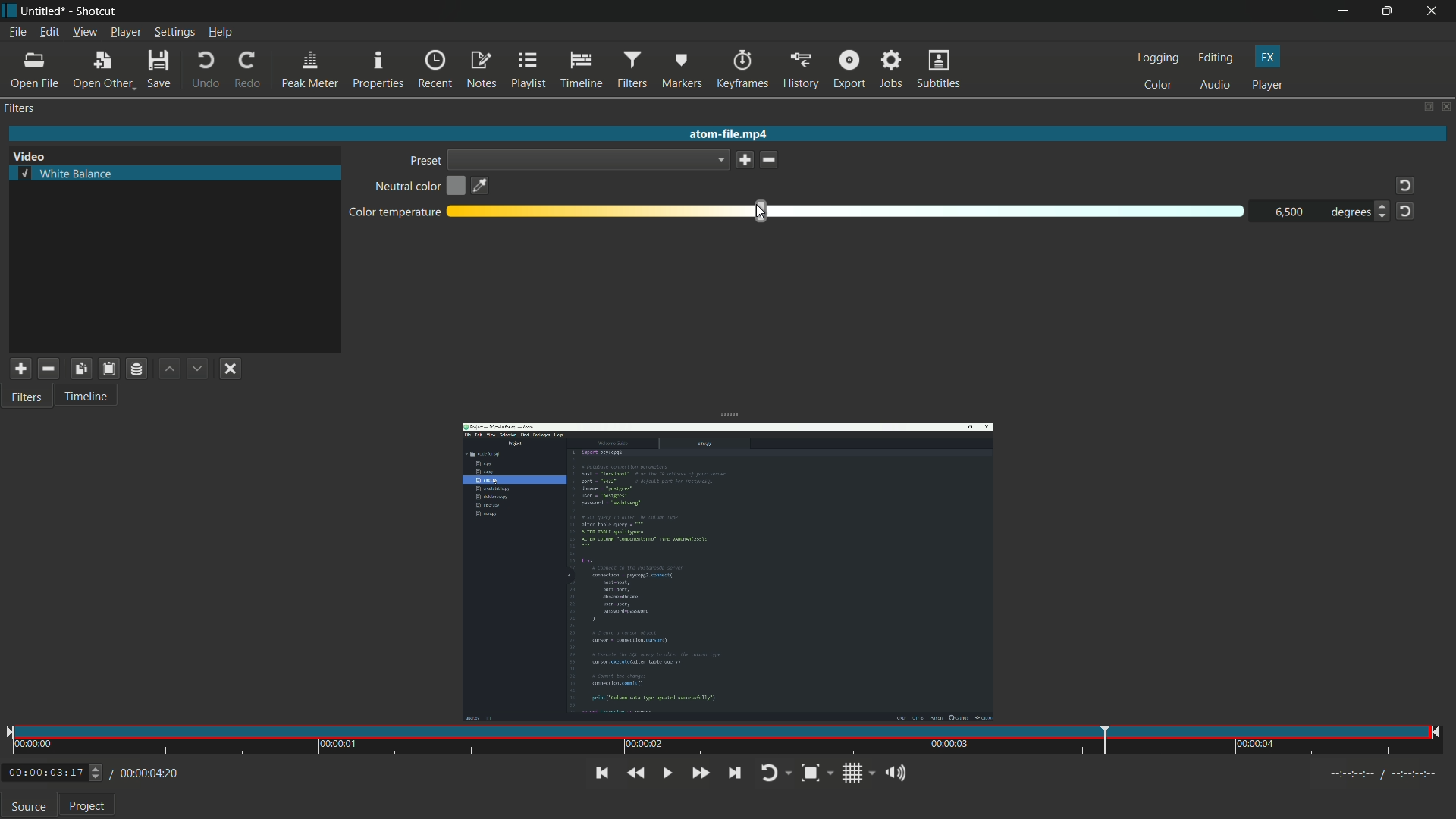 The height and width of the screenshot is (819, 1456). Describe the element at coordinates (1427, 108) in the screenshot. I see `change layout` at that location.